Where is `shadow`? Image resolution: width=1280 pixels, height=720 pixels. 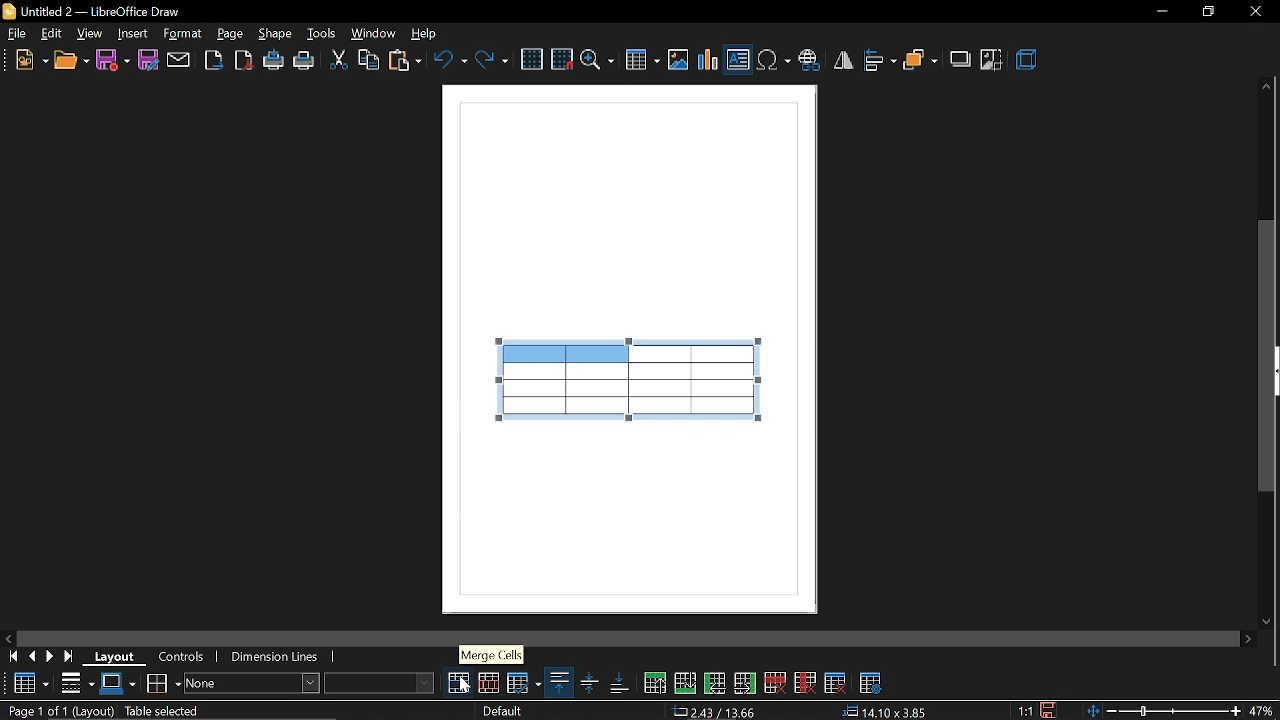 shadow is located at coordinates (958, 60).